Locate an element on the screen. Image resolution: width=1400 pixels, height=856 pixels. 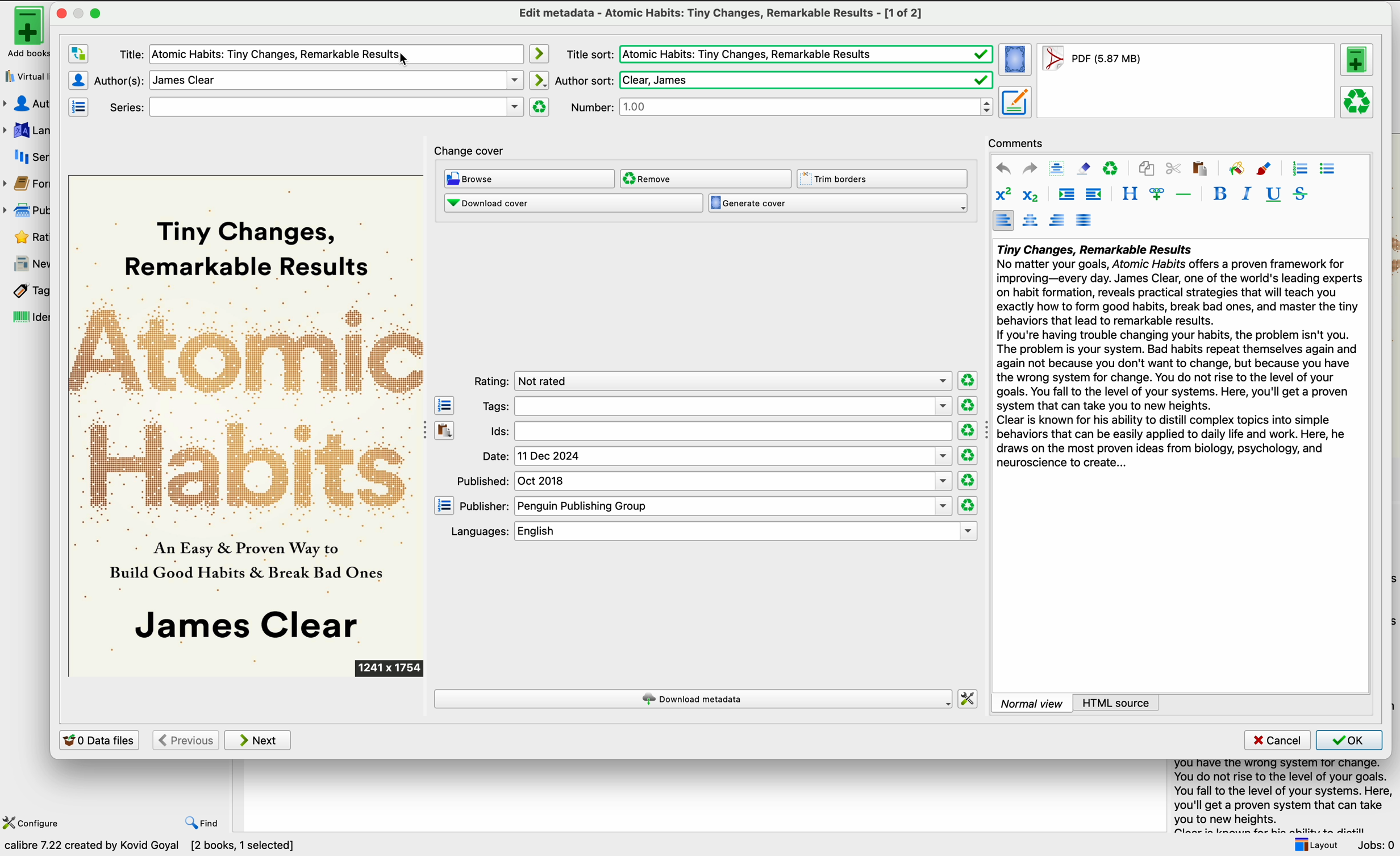
authors editor is located at coordinates (78, 80).